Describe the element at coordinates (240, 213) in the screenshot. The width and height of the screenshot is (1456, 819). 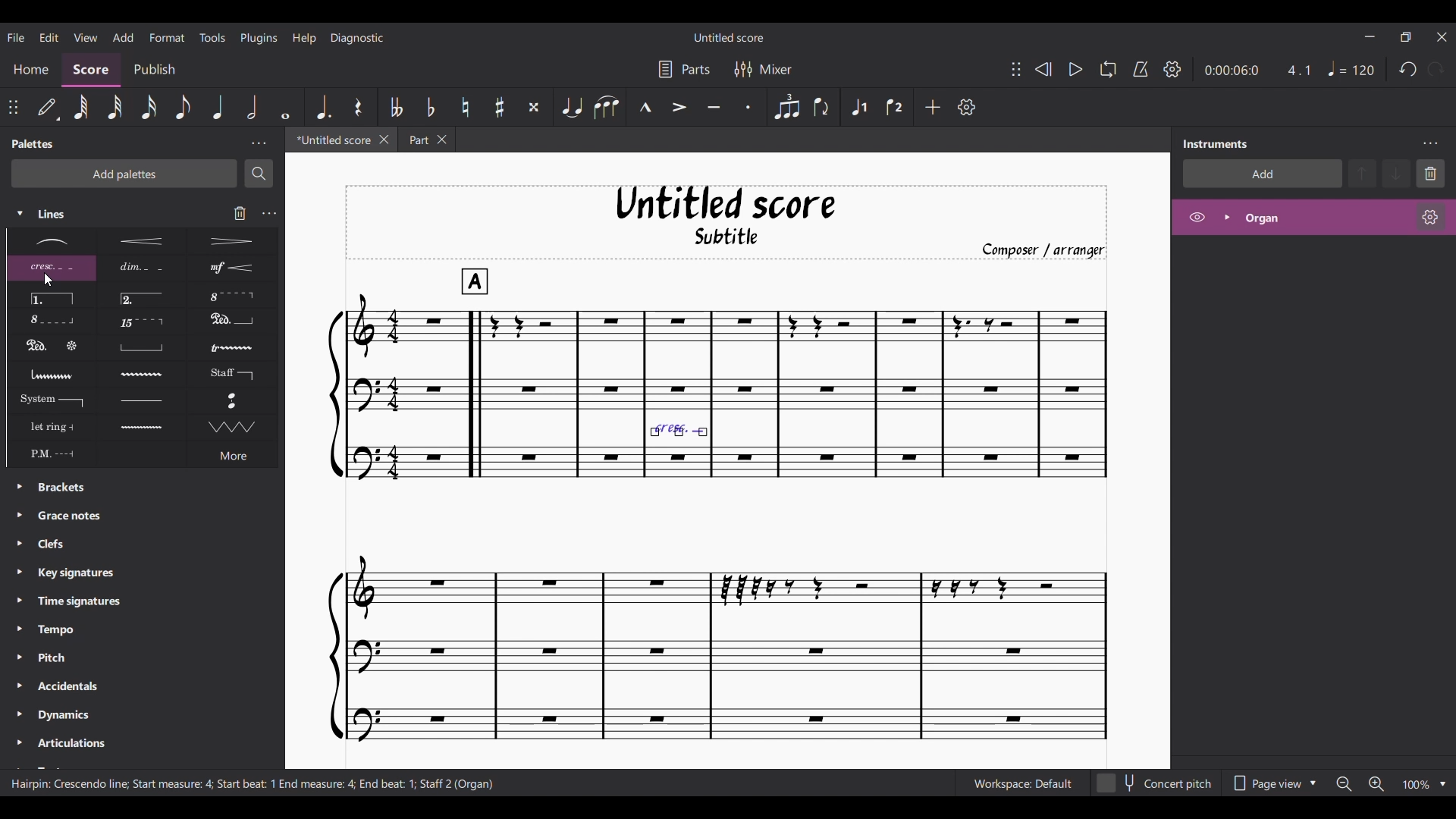
I see `Delete input` at that location.